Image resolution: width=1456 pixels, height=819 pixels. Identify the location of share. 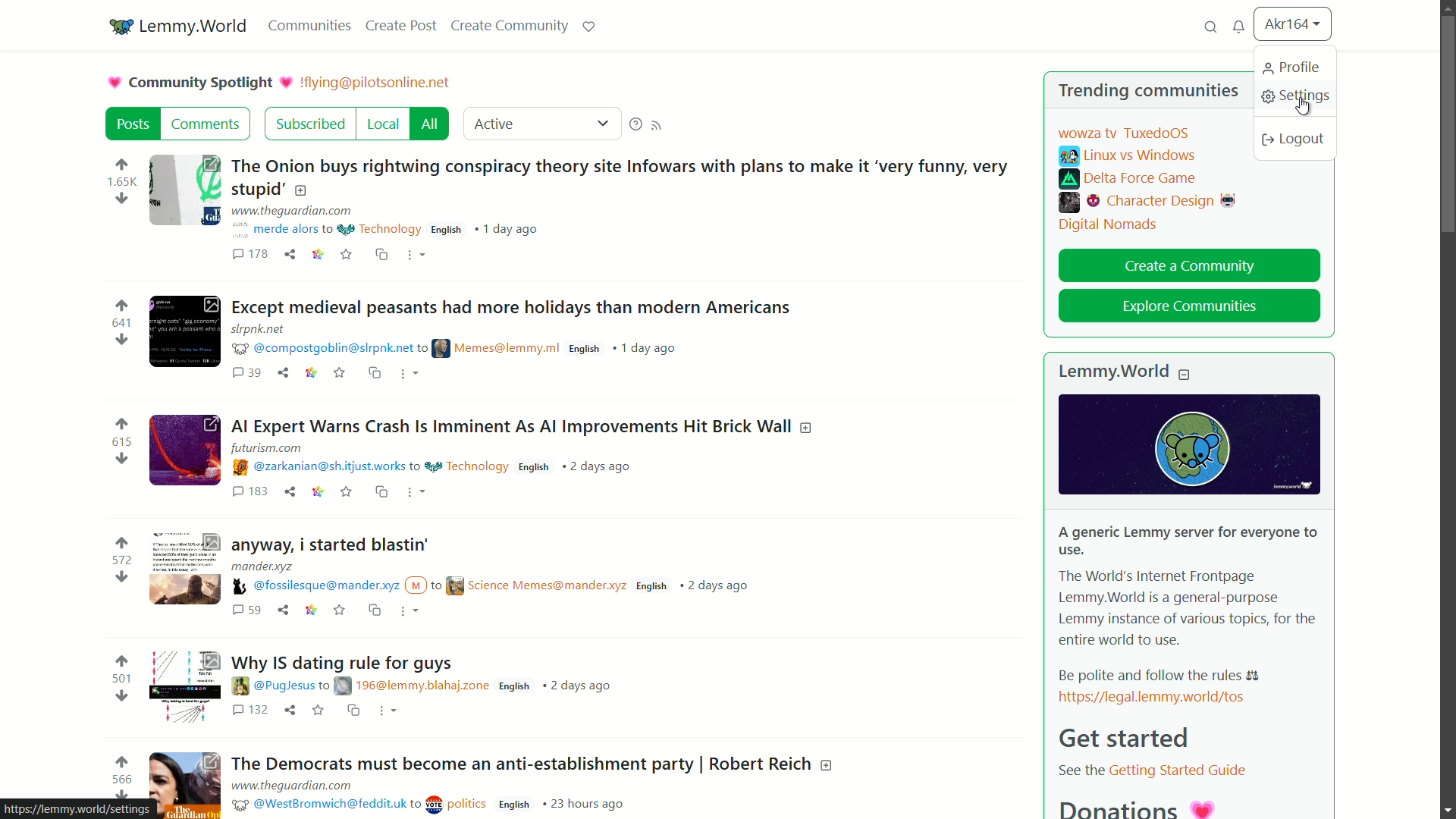
(281, 371).